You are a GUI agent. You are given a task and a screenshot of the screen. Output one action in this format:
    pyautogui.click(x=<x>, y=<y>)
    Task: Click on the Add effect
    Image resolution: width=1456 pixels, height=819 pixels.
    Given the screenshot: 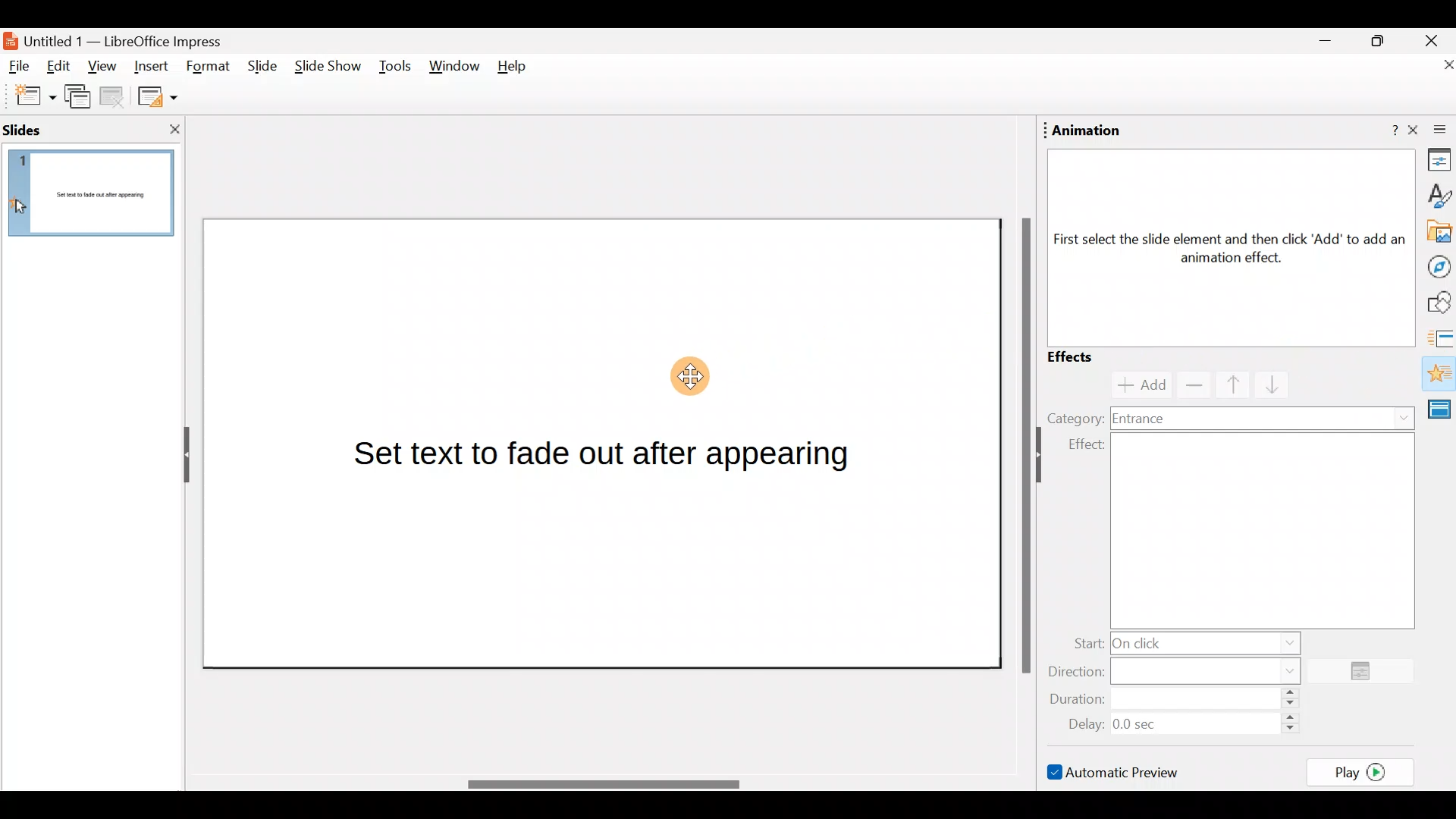 What is the action you would take?
    pyautogui.click(x=1134, y=385)
    